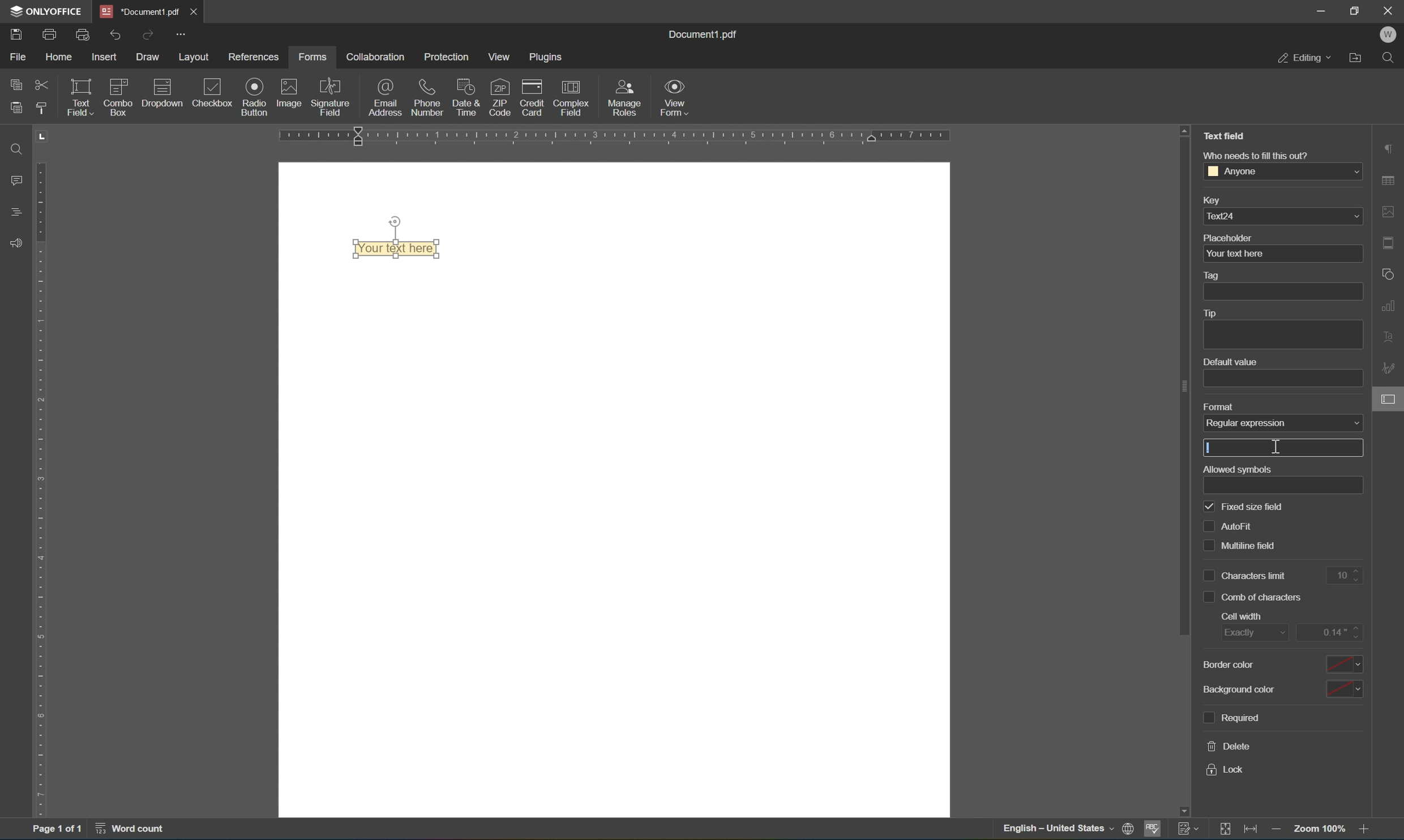 The width and height of the screenshot is (1404, 840). I want to click on manage roles, so click(627, 98).